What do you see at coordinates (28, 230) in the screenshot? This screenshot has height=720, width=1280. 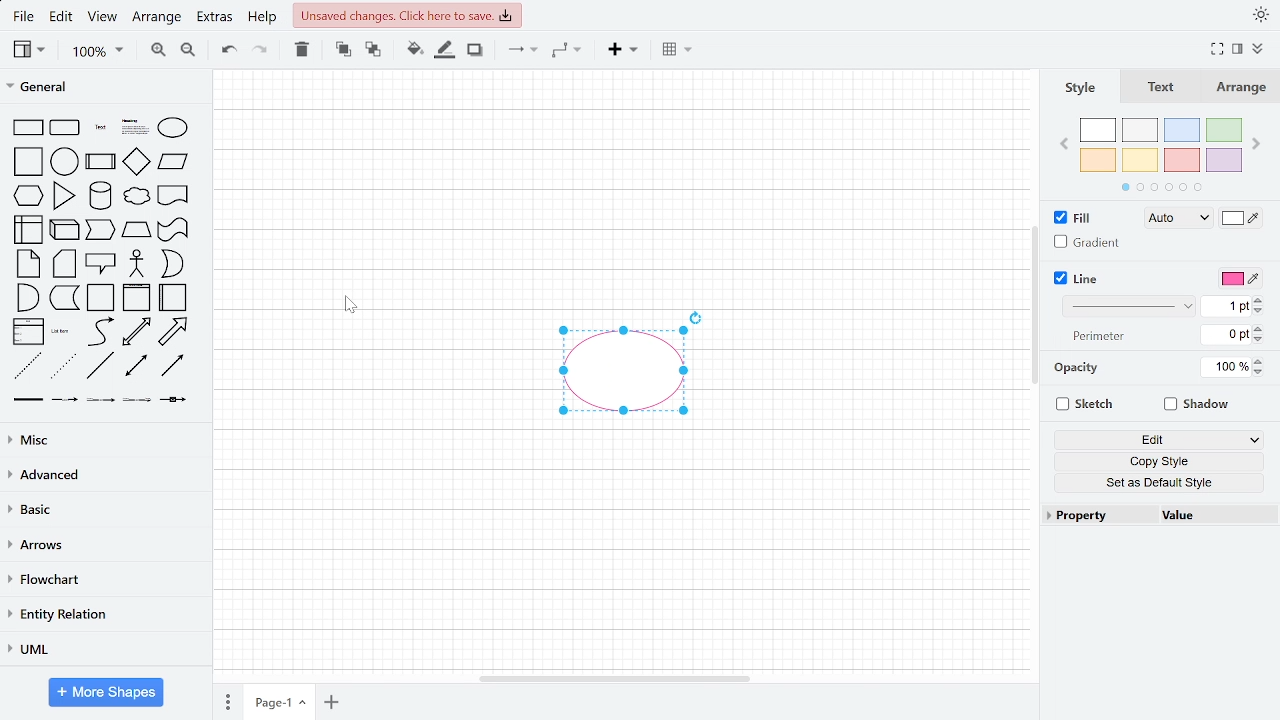 I see `internal storage` at bounding box center [28, 230].